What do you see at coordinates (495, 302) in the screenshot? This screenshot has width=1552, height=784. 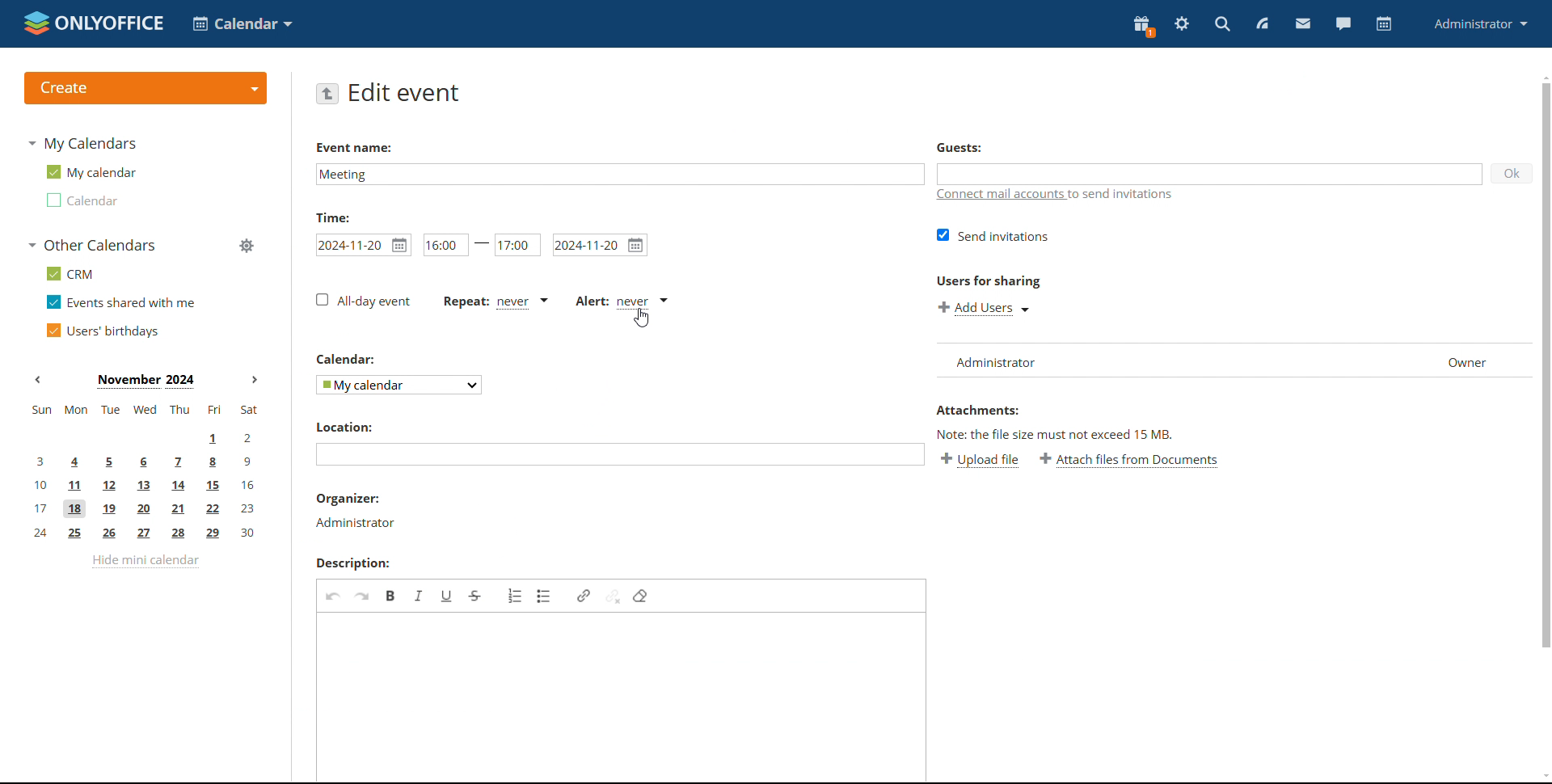 I see `event repetition` at bounding box center [495, 302].